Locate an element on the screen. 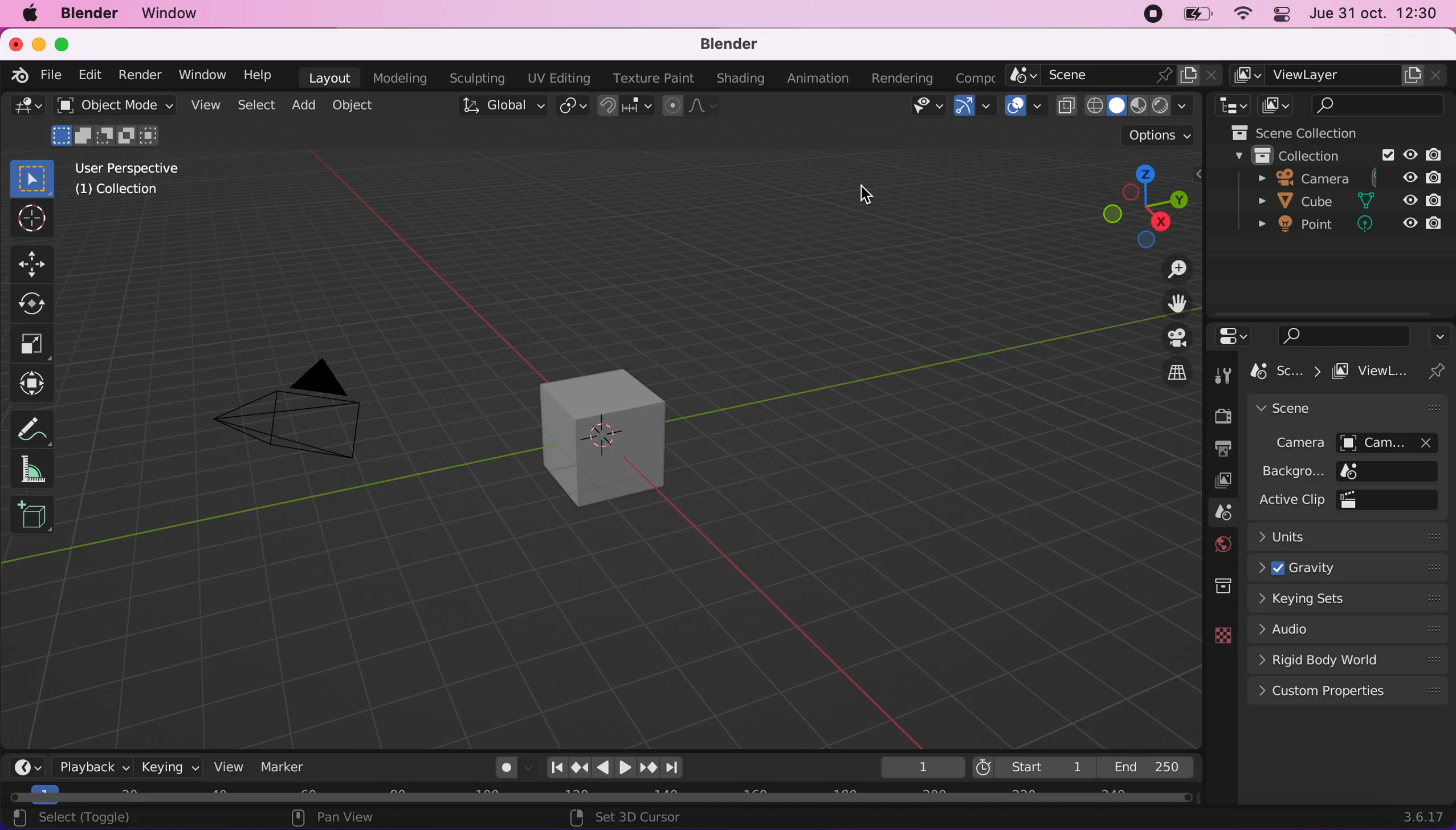  scene collection is located at coordinates (1290, 132).